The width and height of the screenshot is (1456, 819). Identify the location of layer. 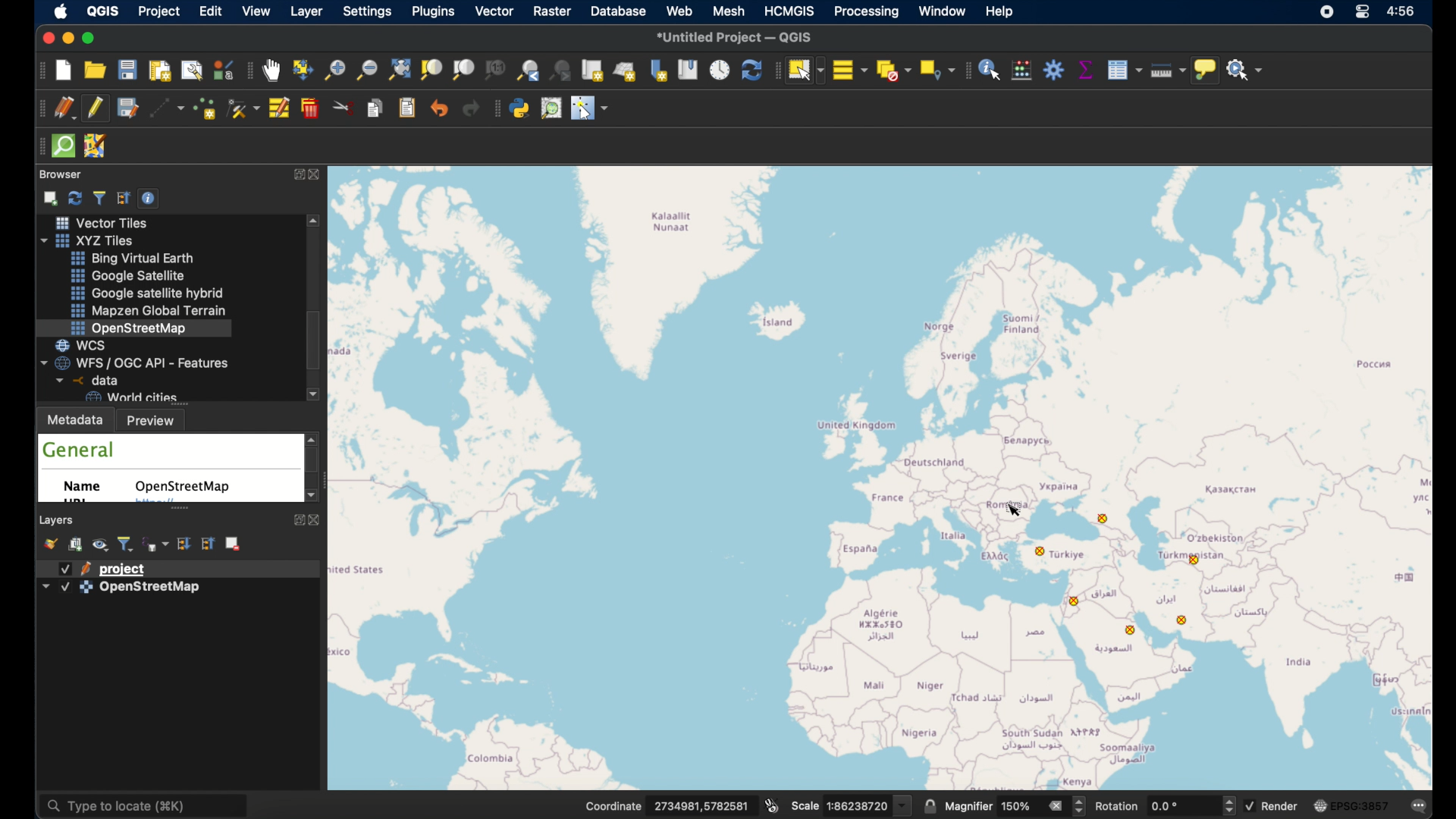
(306, 12).